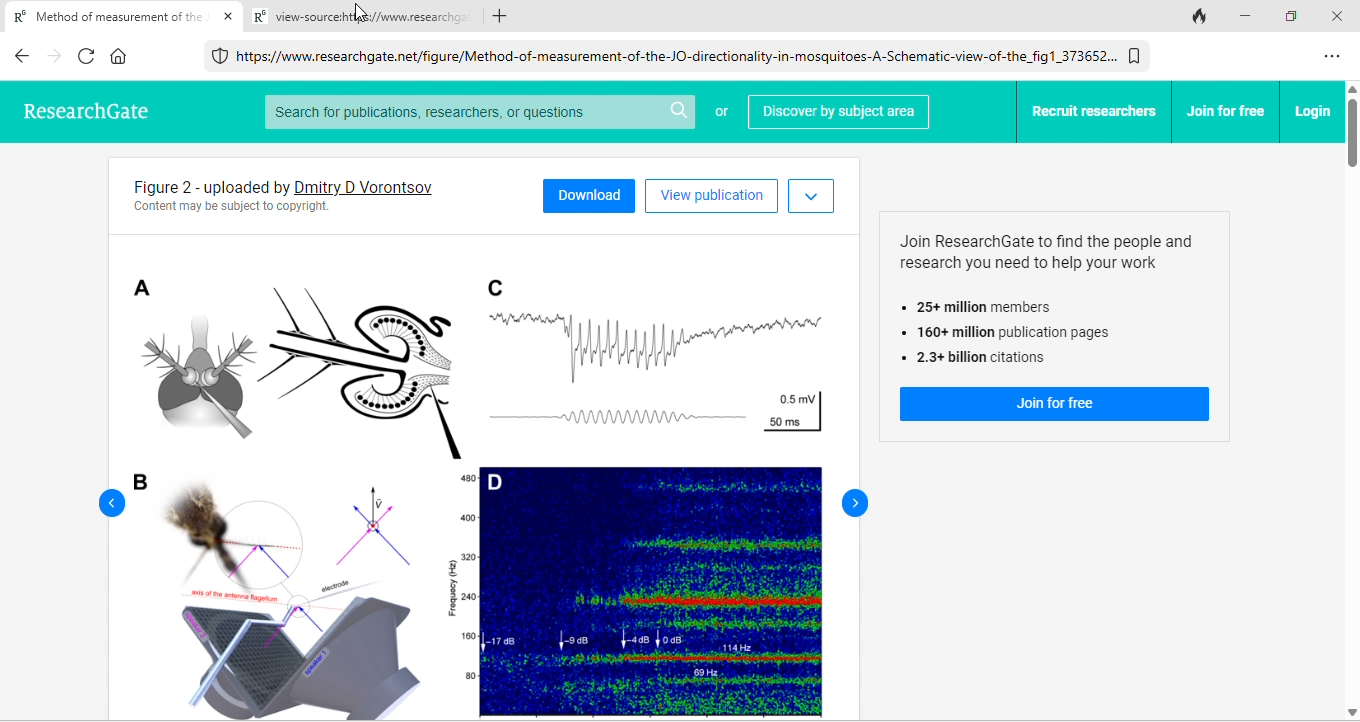 This screenshot has width=1360, height=722. What do you see at coordinates (1335, 57) in the screenshot?
I see `option` at bounding box center [1335, 57].